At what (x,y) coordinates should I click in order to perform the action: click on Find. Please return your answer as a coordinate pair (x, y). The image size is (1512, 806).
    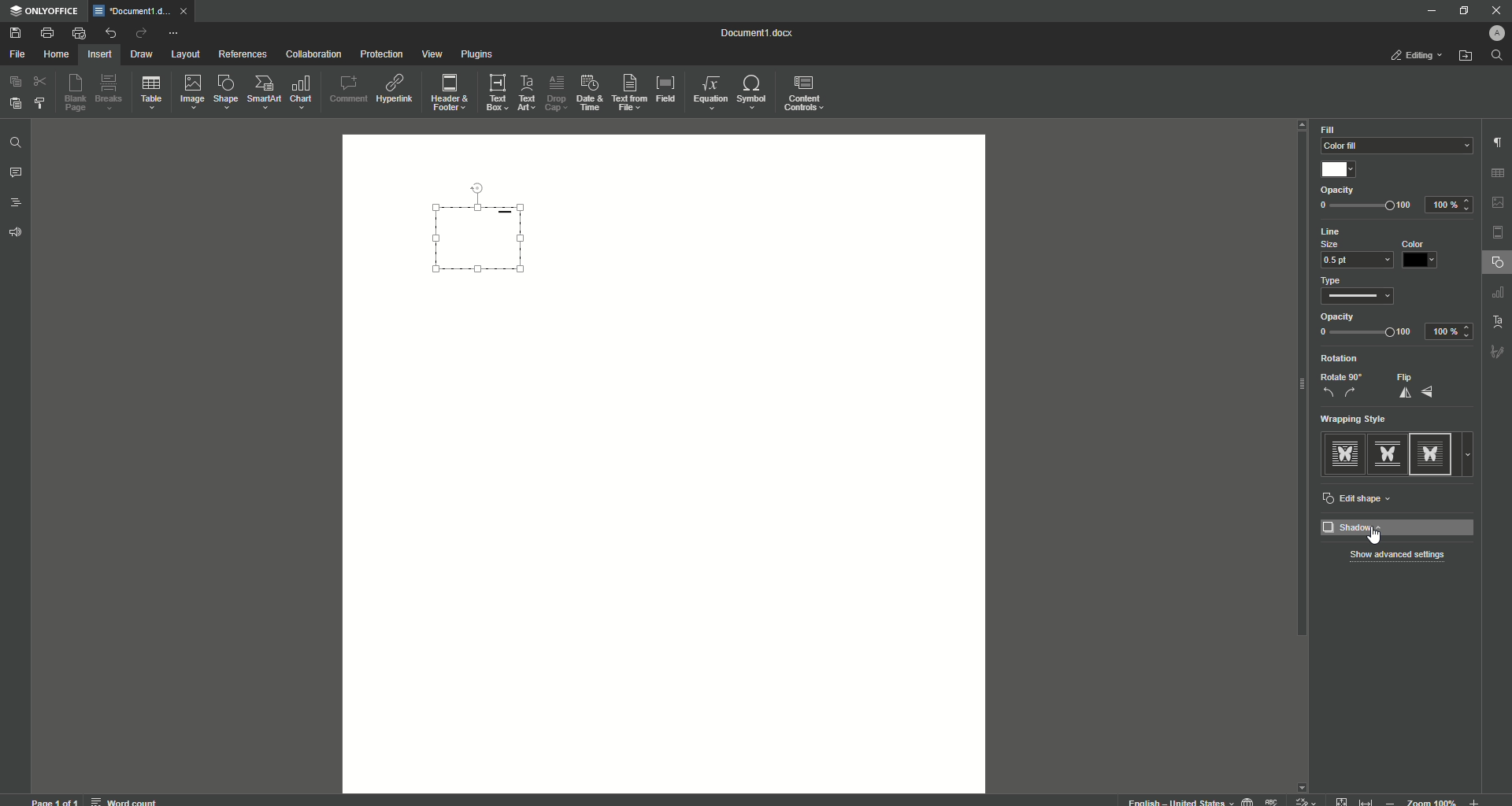
    Looking at the image, I should click on (15, 144).